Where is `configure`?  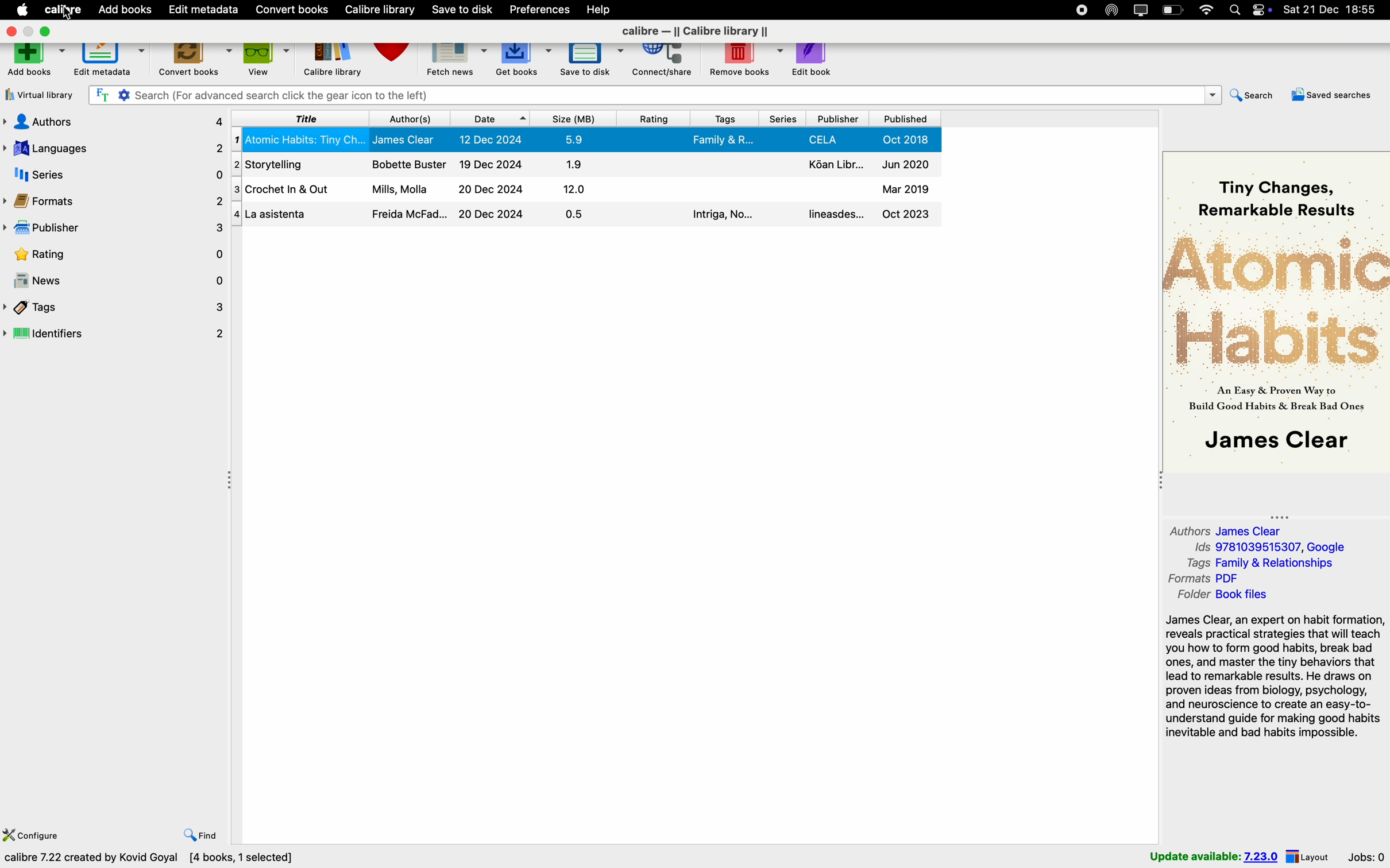 configure is located at coordinates (34, 831).